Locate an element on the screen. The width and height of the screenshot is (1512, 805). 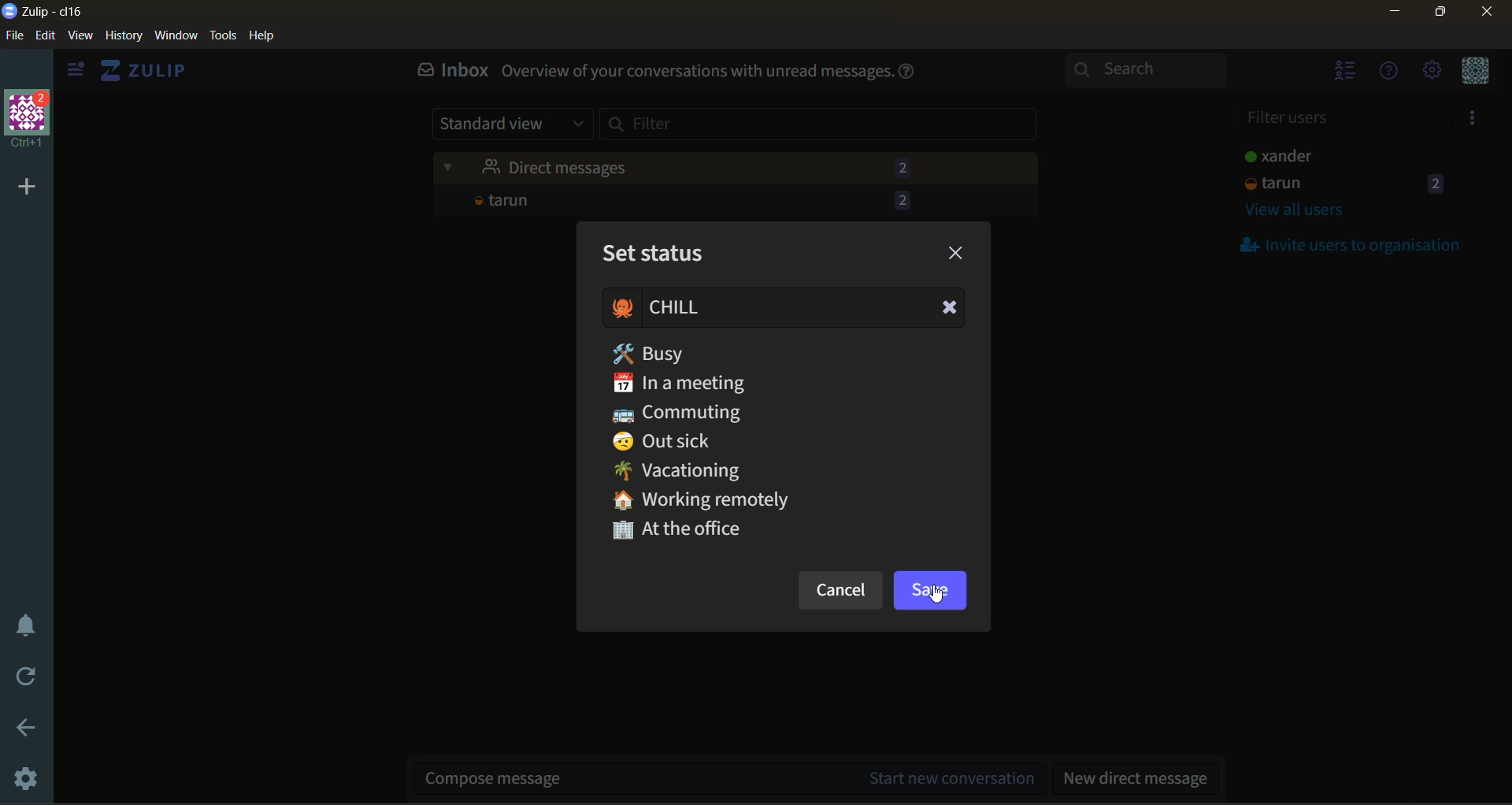
invite users to organisation is located at coordinates (1362, 244).